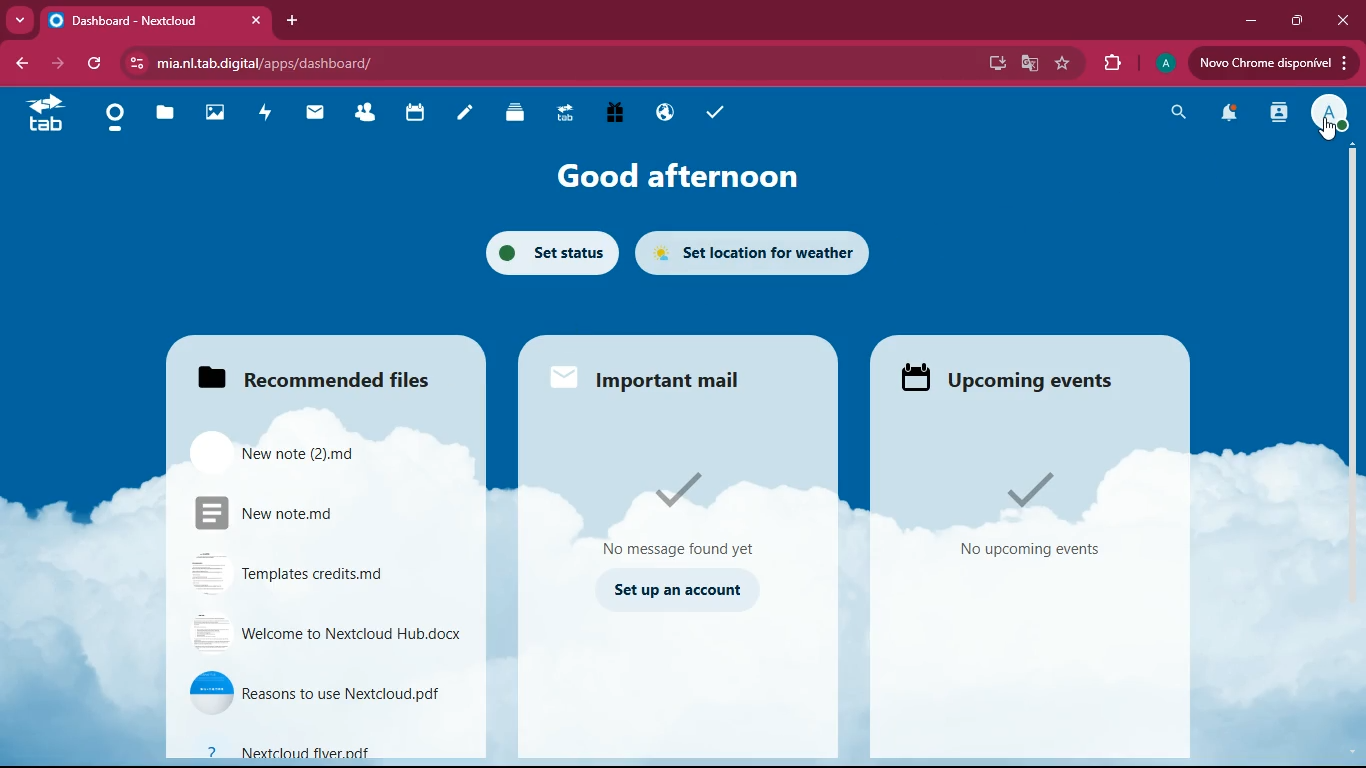 The width and height of the screenshot is (1366, 768). Describe the element at coordinates (766, 252) in the screenshot. I see `set location` at that location.